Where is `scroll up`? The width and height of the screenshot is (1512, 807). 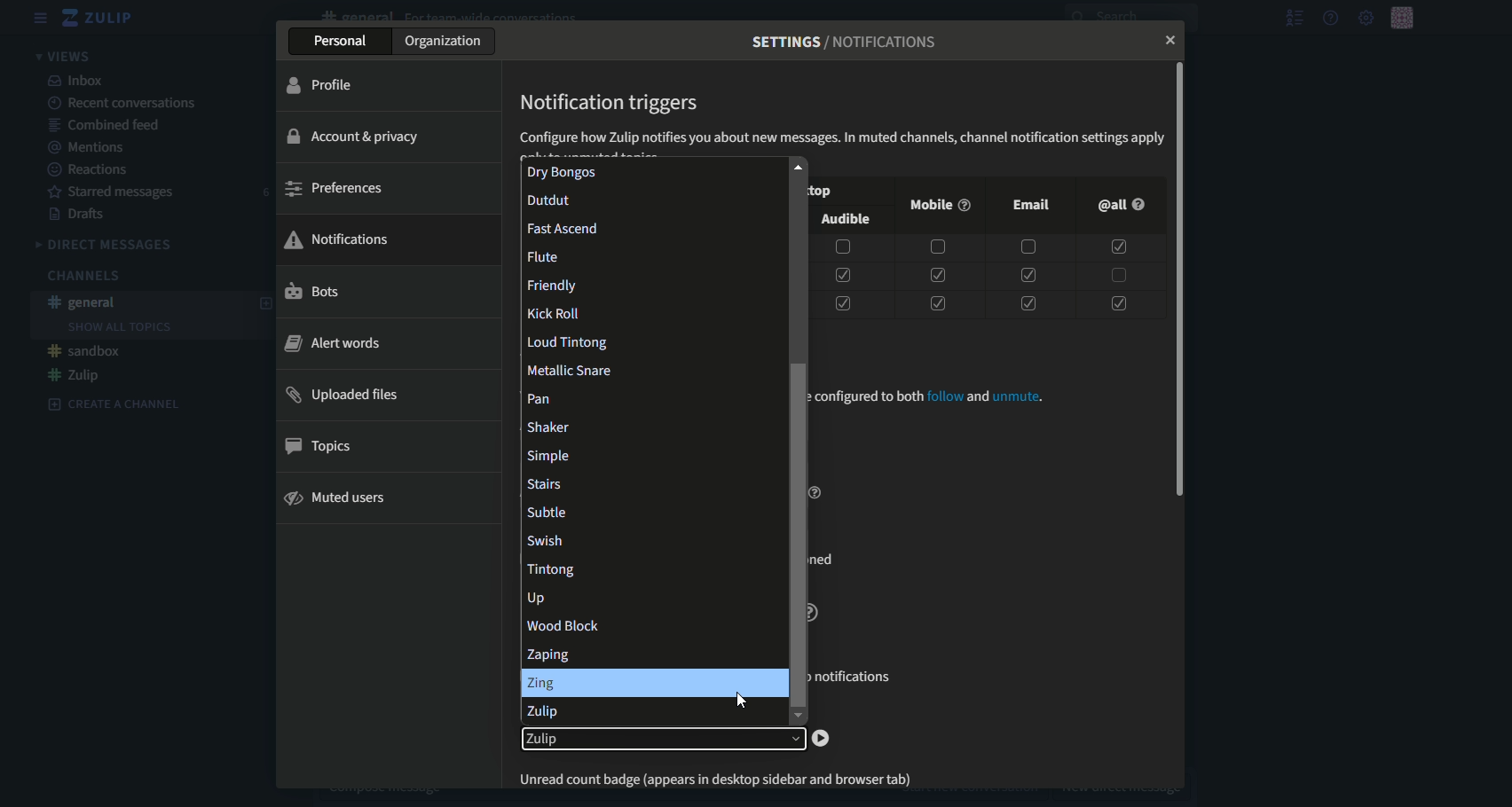 scroll up is located at coordinates (797, 166).